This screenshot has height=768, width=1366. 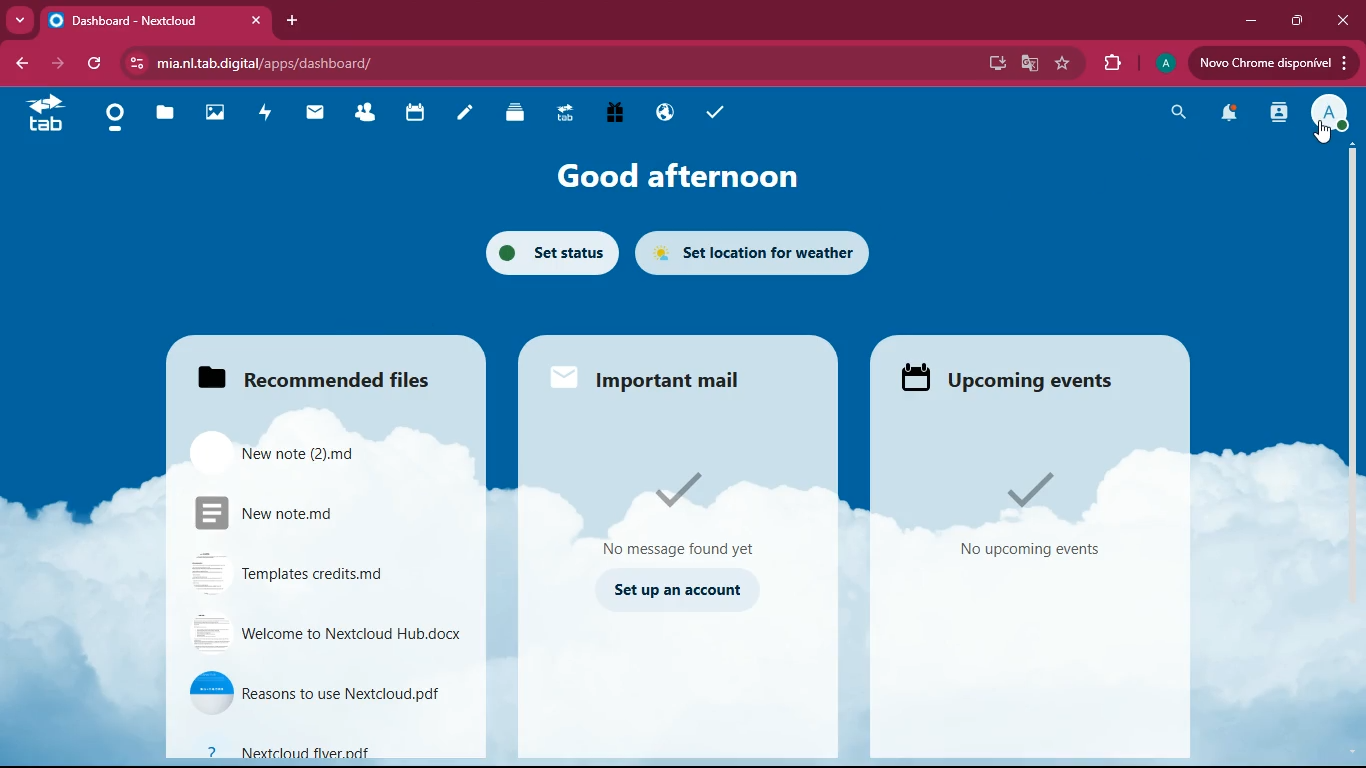 I want to click on more, so click(x=16, y=21).